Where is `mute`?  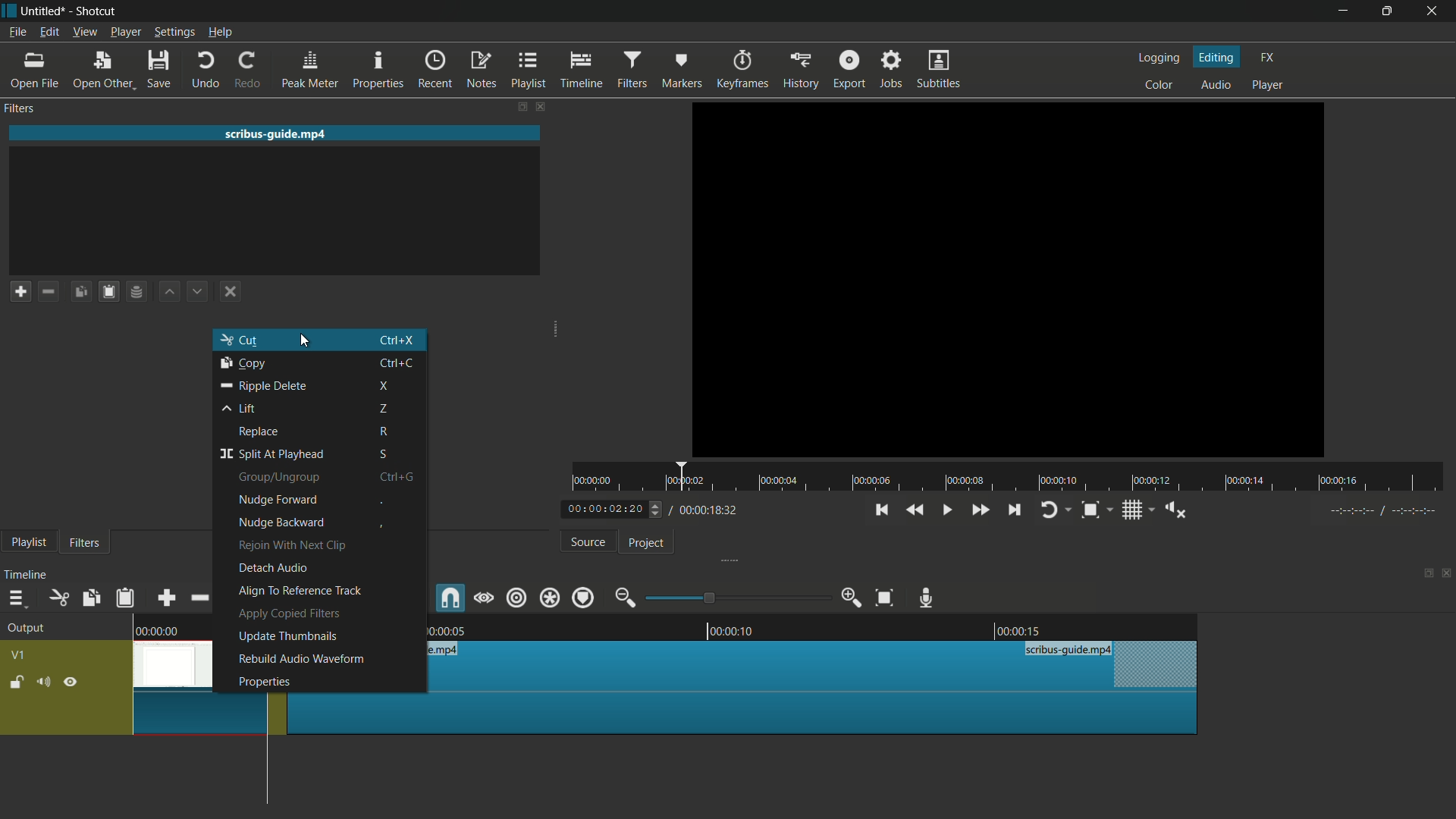
mute is located at coordinates (44, 682).